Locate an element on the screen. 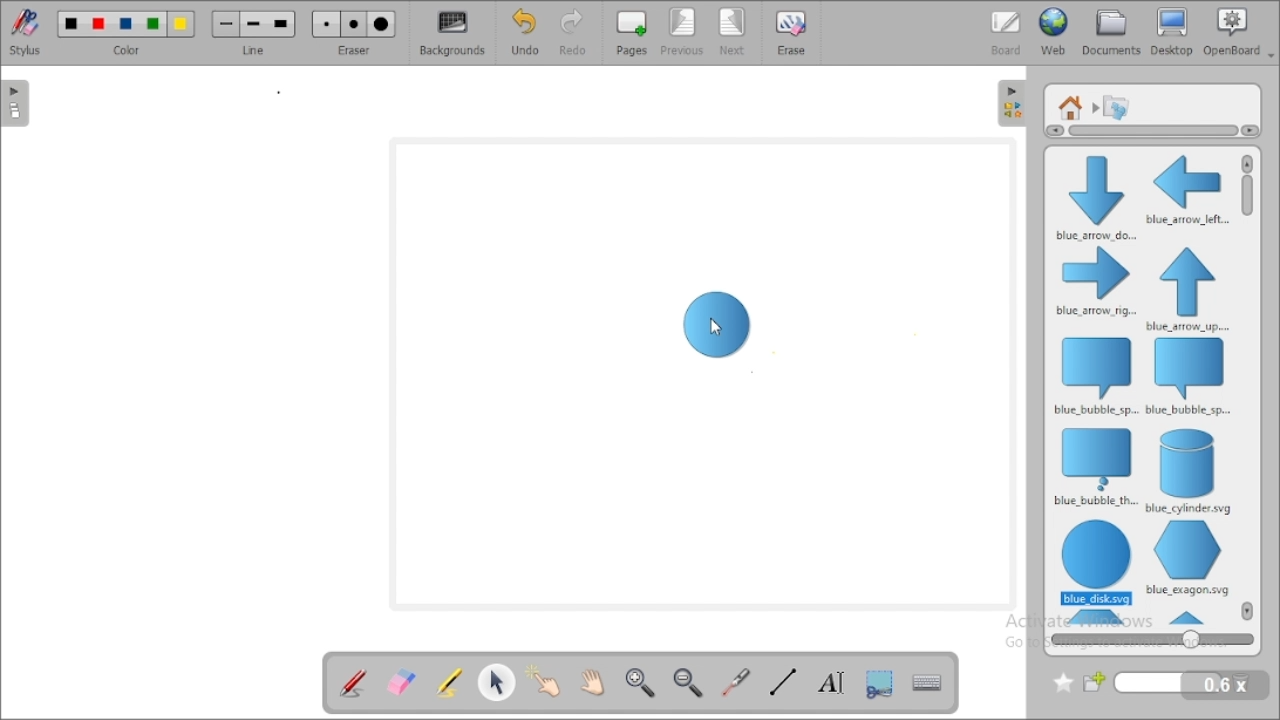  blue bubble speak left is located at coordinates (1190, 377).